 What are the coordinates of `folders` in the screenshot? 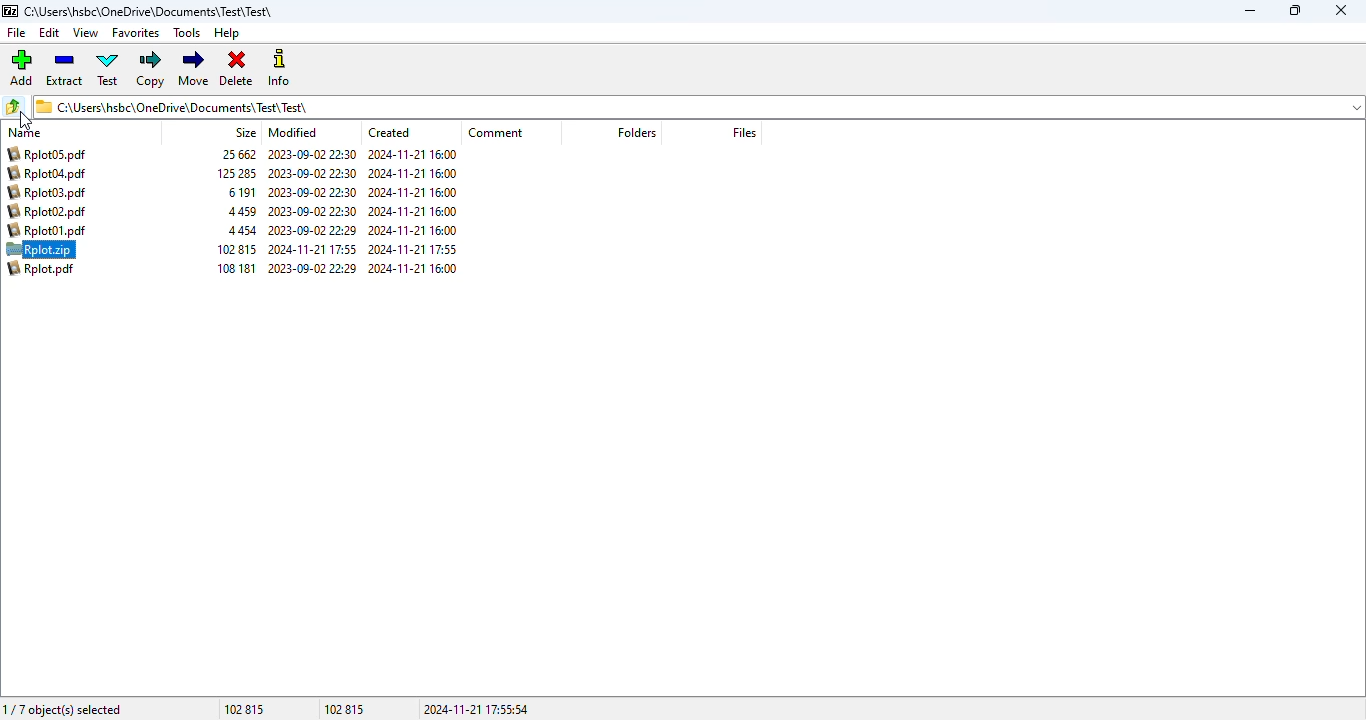 It's located at (1353, 109).